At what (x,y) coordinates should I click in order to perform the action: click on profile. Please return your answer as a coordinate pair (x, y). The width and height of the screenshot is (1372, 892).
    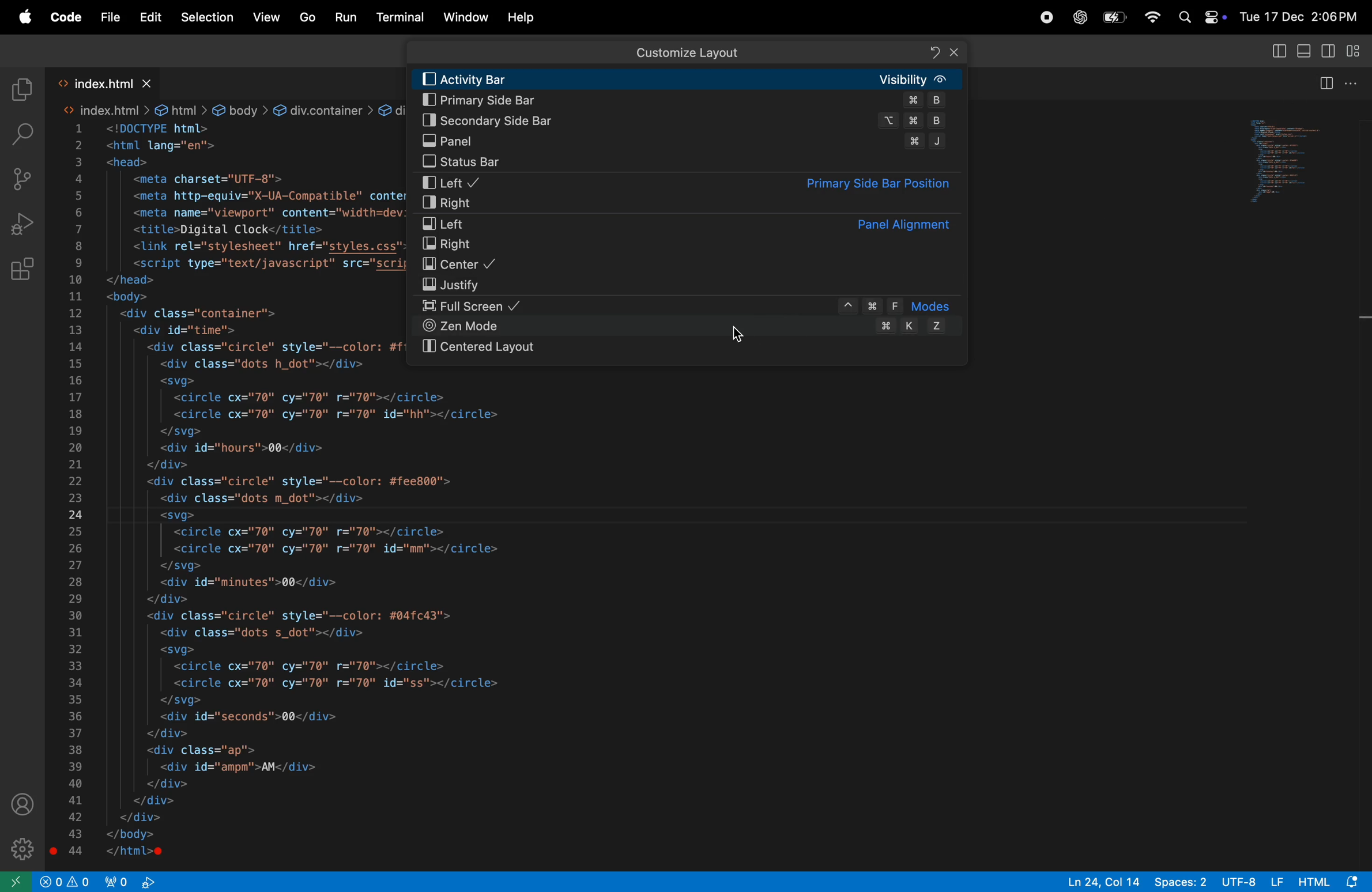
    Looking at the image, I should click on (24, 805).